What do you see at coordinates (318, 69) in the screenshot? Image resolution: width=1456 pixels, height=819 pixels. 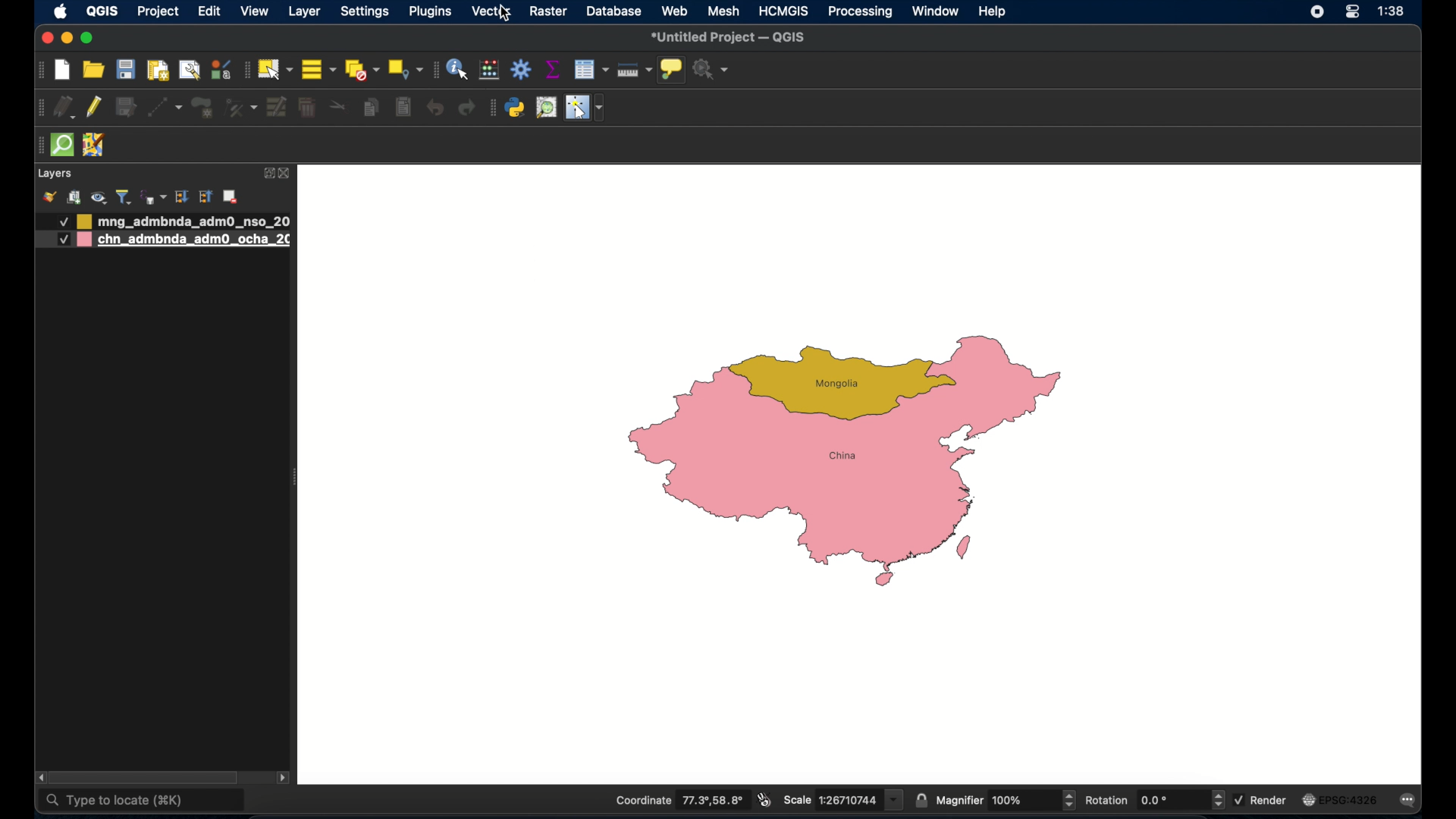 I see `select all features` at bounding box center [318, 69].